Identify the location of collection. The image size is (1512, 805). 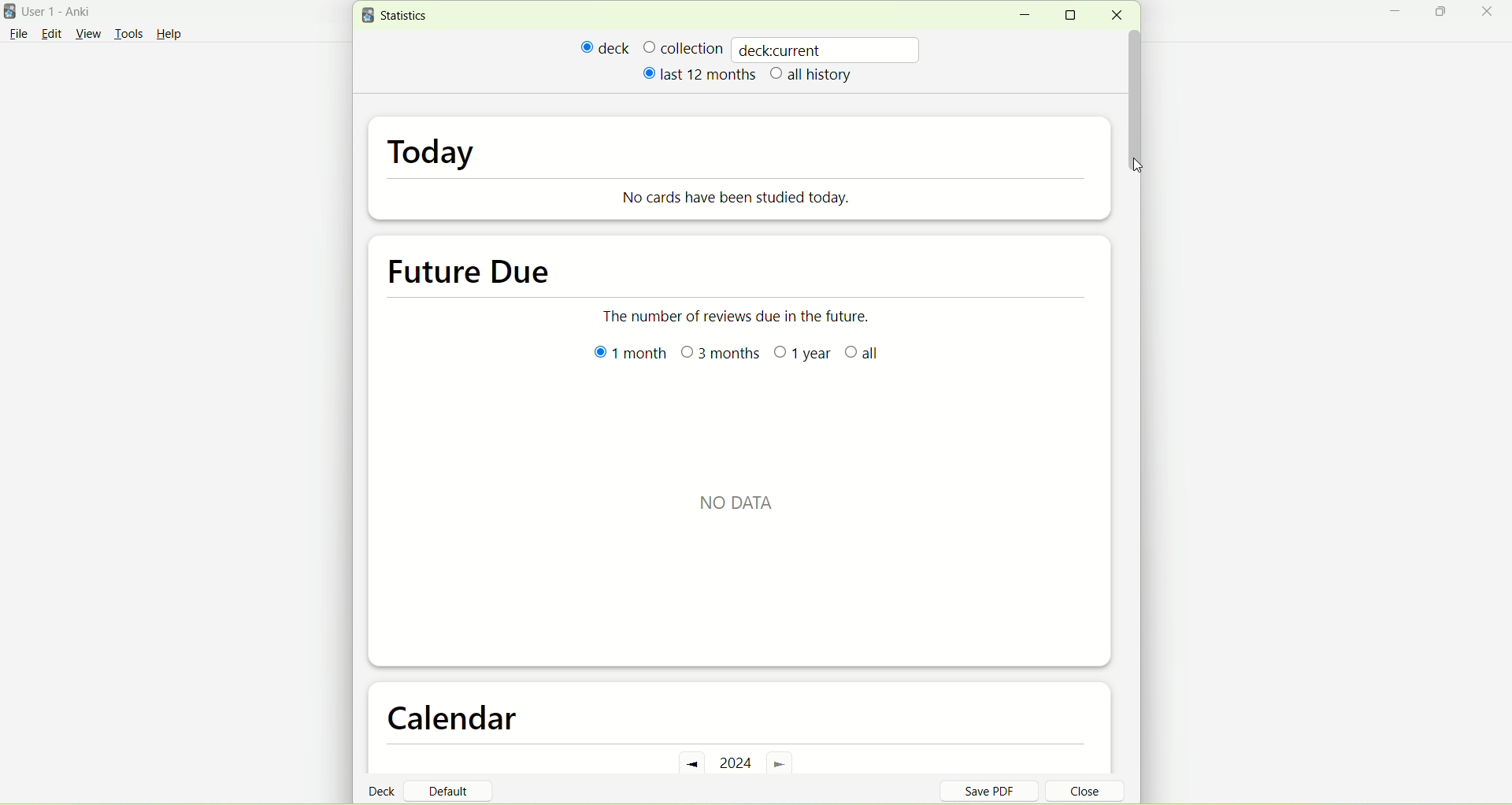
(683, 47).